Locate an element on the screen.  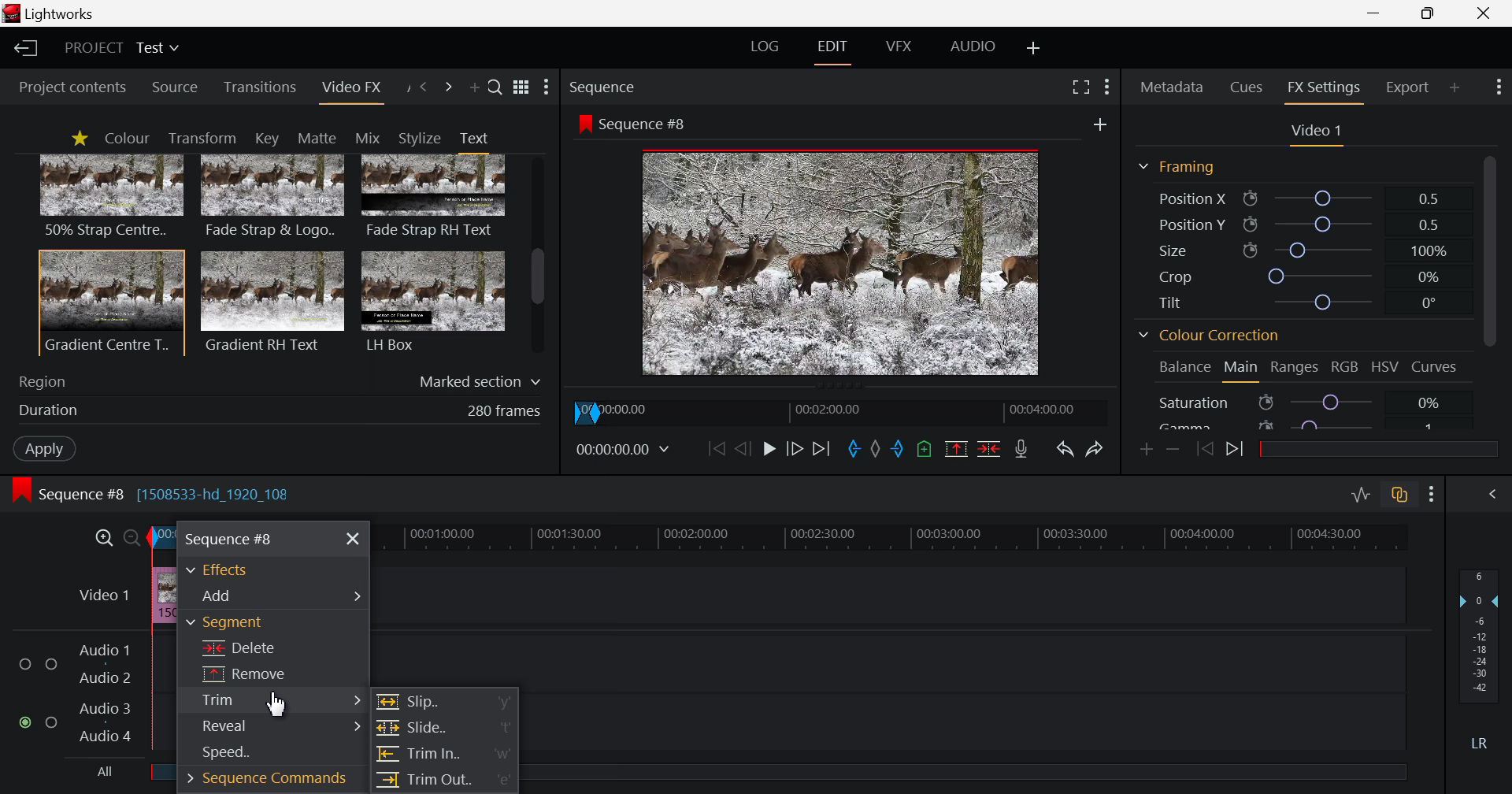
Mark Cue is located at coordinates (925, 450).